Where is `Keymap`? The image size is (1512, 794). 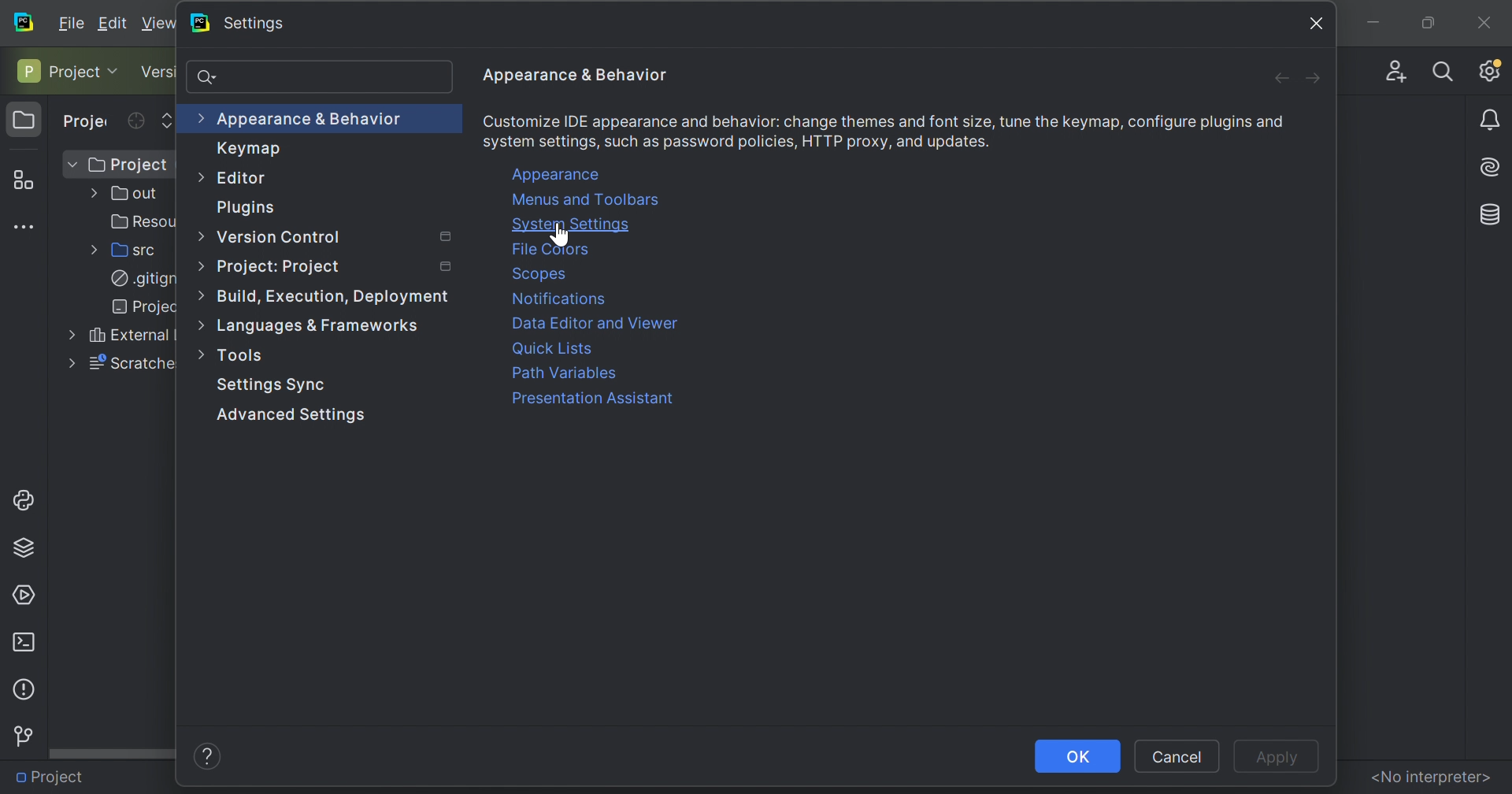 Keymap is located at coordinates (248, 147).